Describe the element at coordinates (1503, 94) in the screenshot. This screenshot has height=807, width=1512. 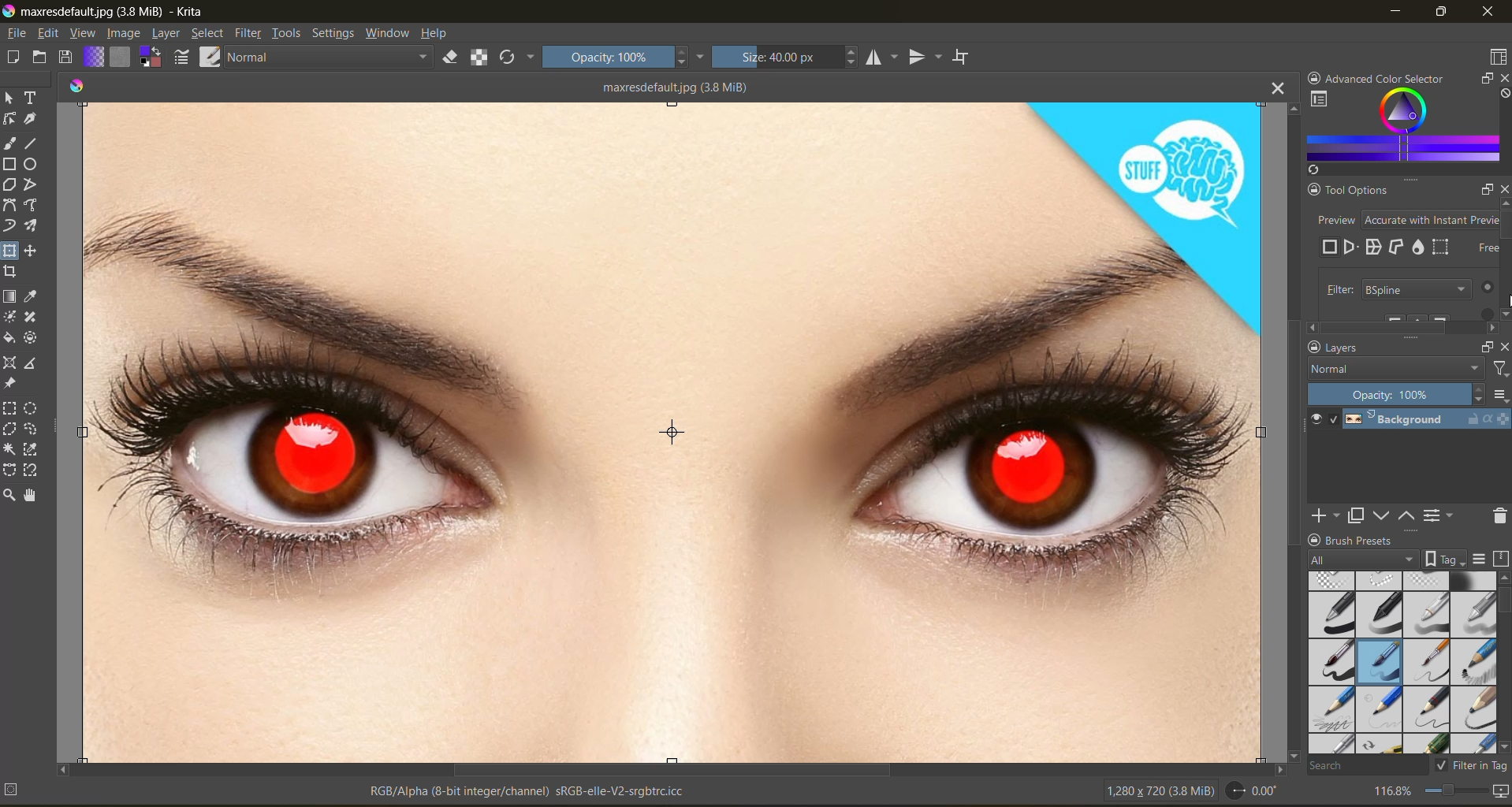
I see `clear all color search history` at that location.